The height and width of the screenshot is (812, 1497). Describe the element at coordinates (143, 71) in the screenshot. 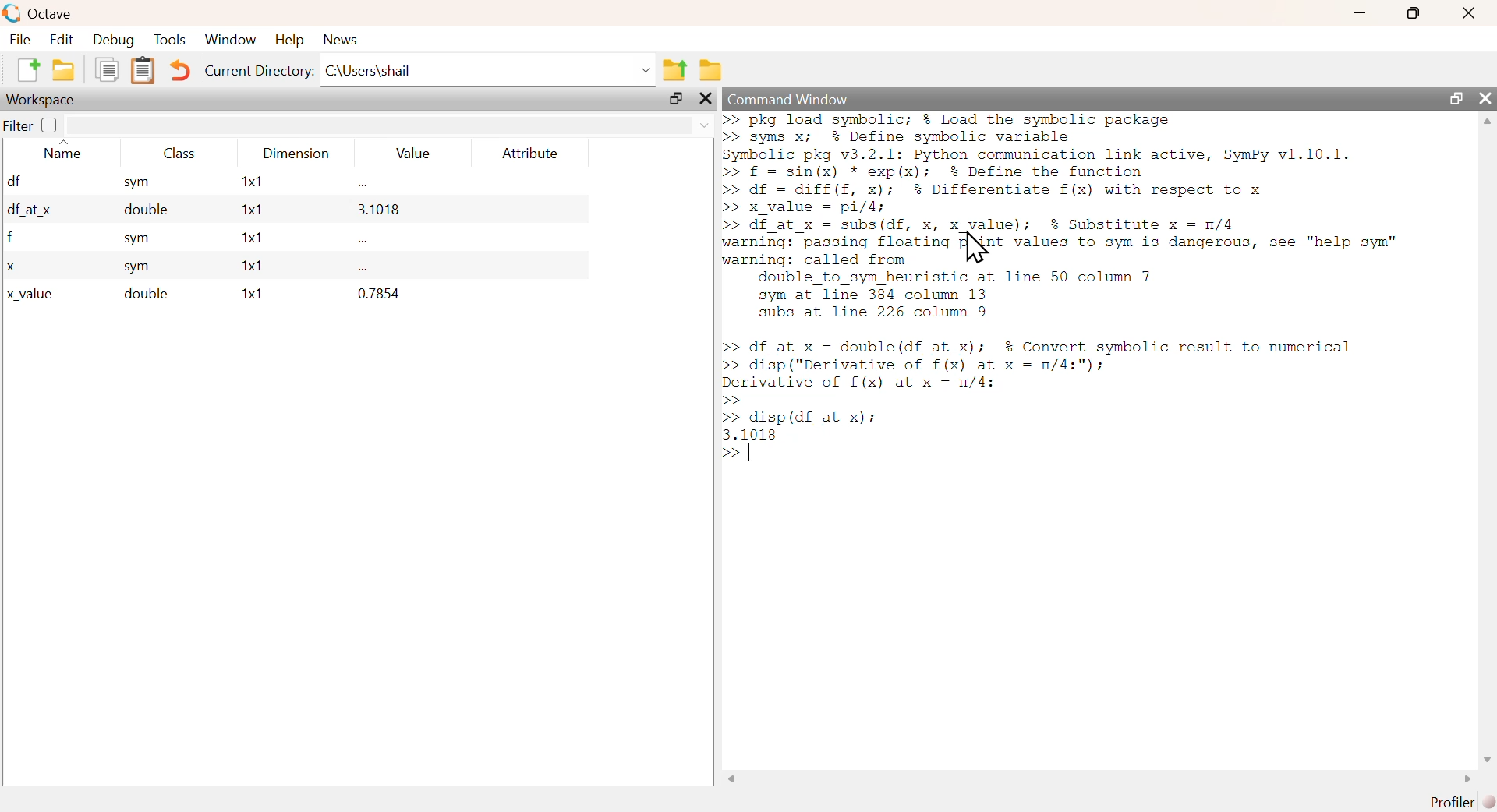

I see `Paste` at that location.